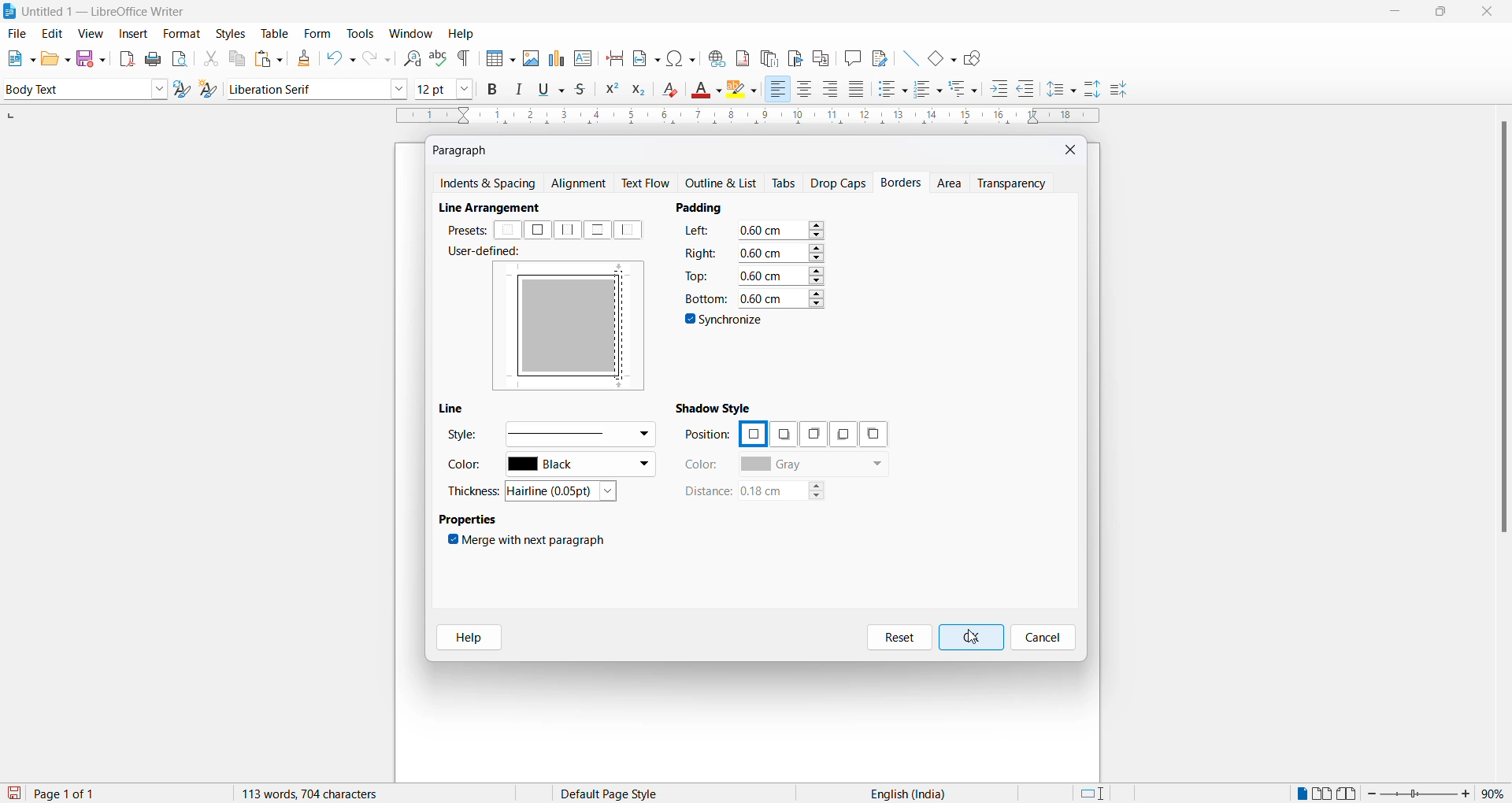  What do you see at coordinates (230, 32) in the screenshot?
I see `styles` at bounding box center [230, 32].